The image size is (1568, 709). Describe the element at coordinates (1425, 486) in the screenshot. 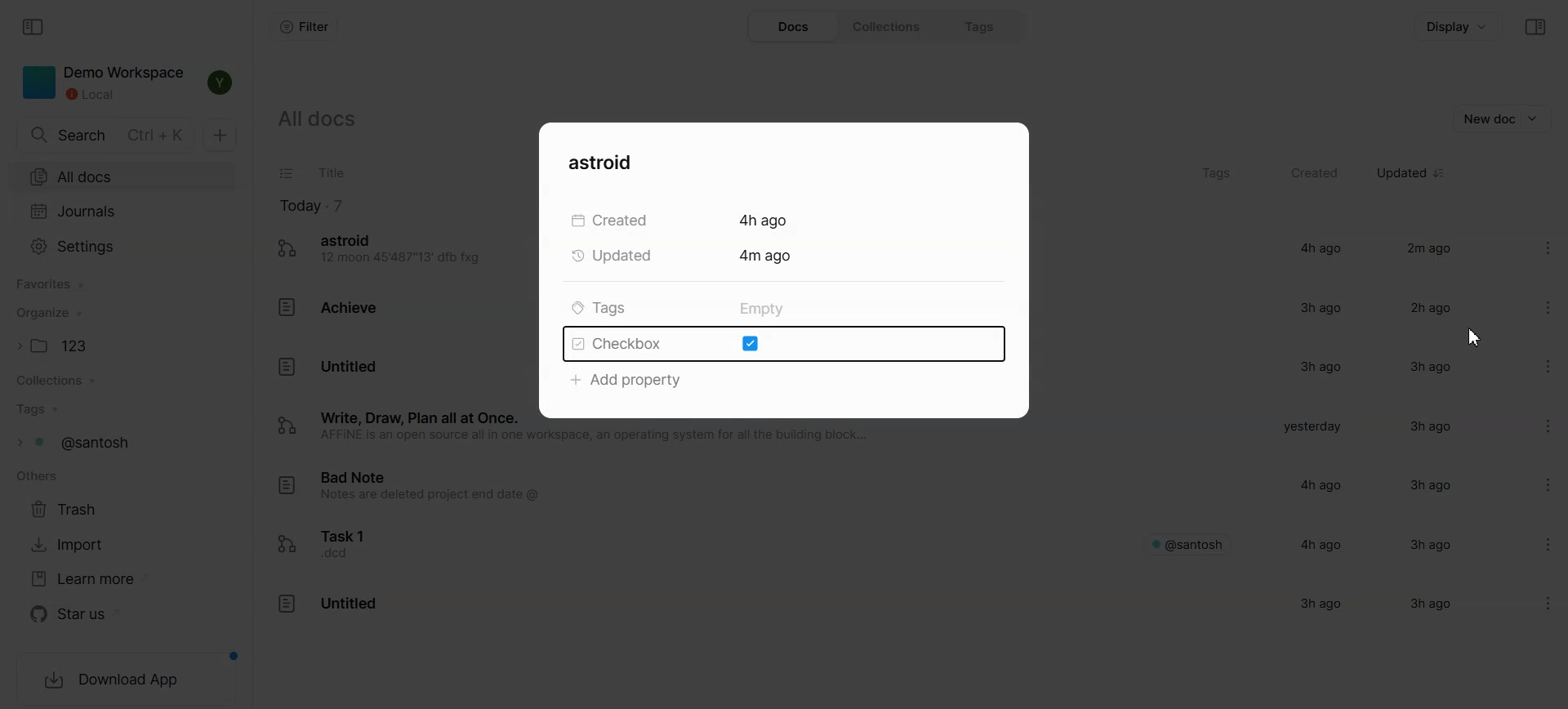

I see `3h ago` at that location.